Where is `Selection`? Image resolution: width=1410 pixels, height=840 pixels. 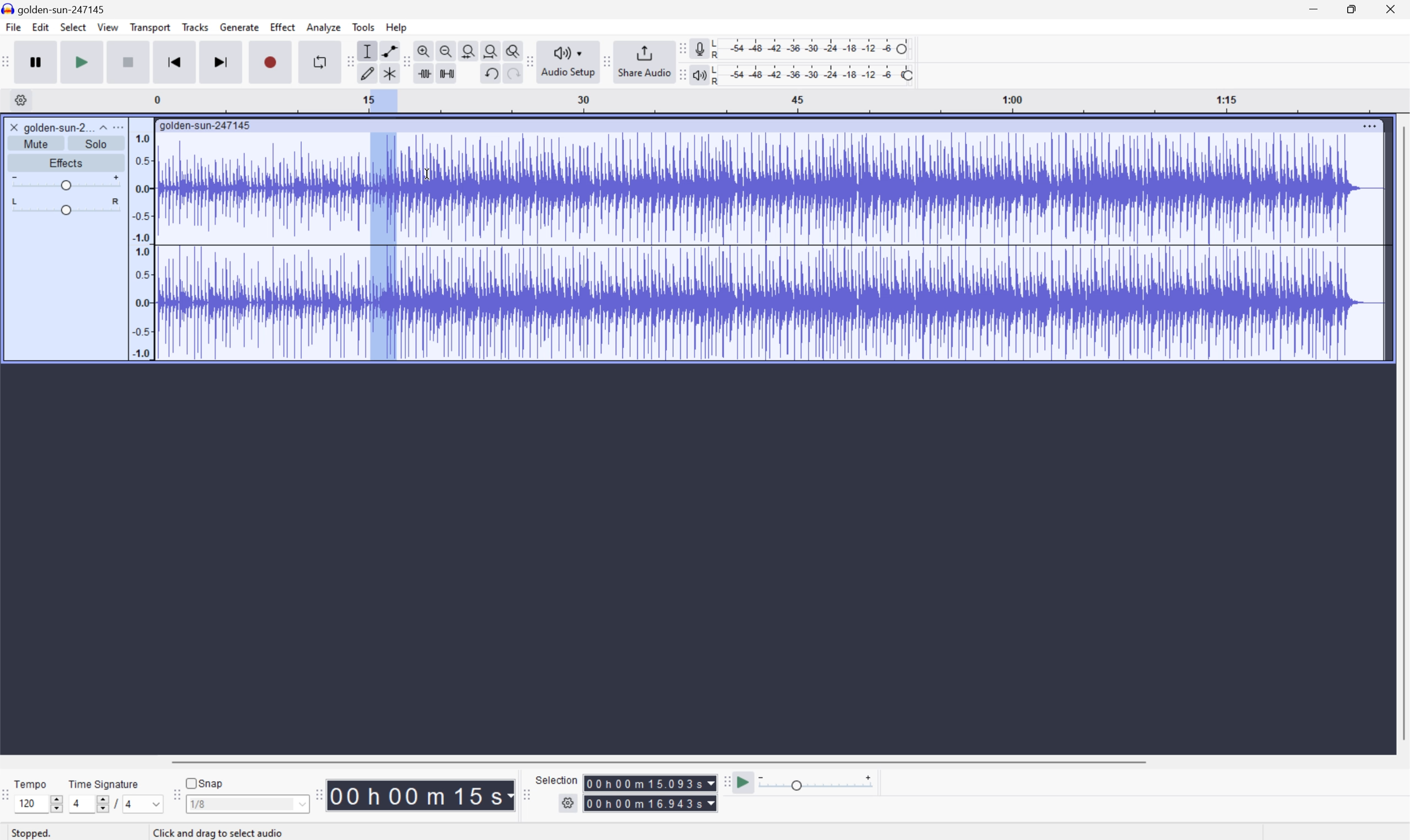 Selection is located at coordinates (557, 779).